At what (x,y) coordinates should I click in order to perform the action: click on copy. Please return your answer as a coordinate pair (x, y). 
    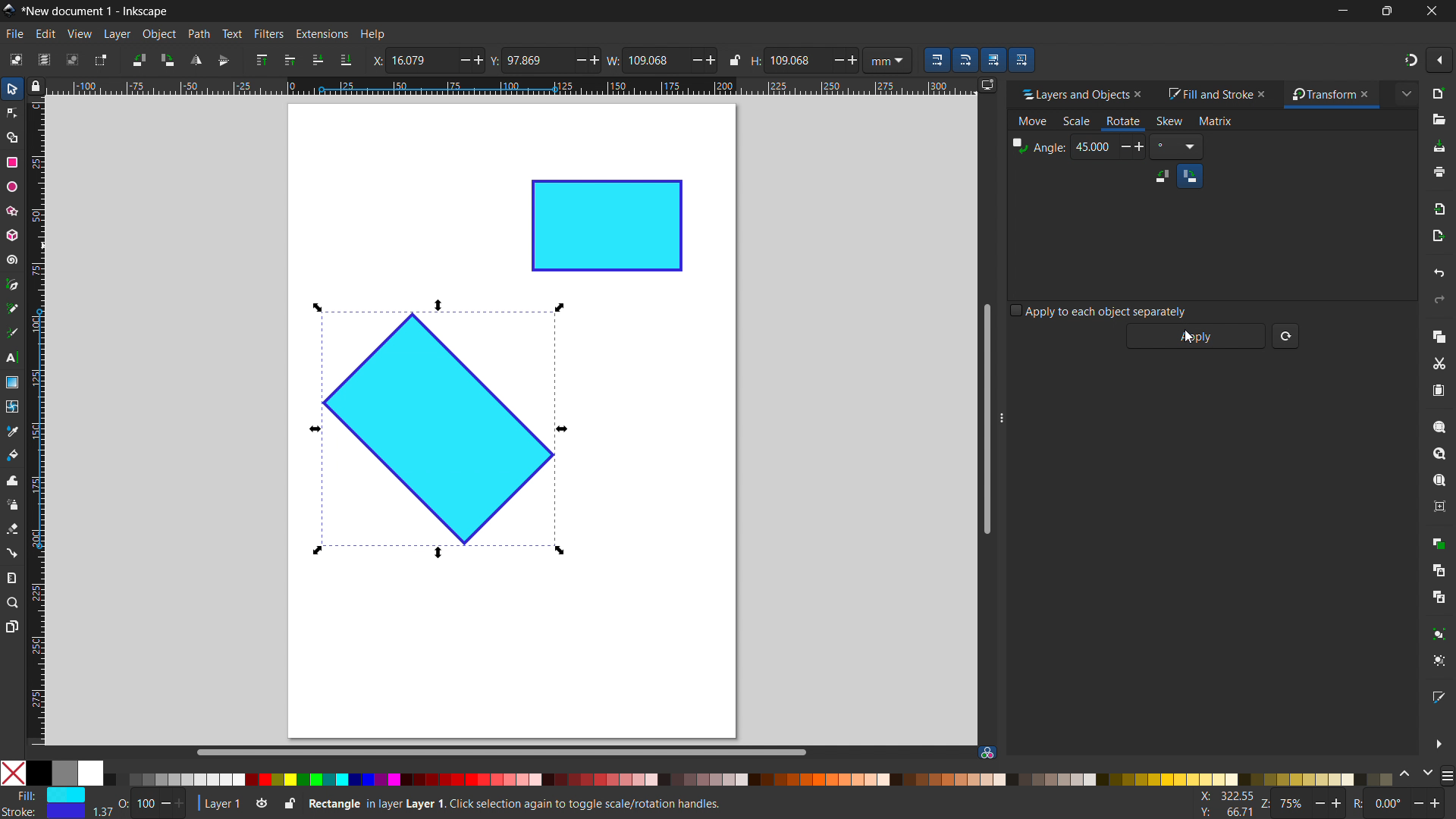
    Looking at the image, I should click on (1439, 336).